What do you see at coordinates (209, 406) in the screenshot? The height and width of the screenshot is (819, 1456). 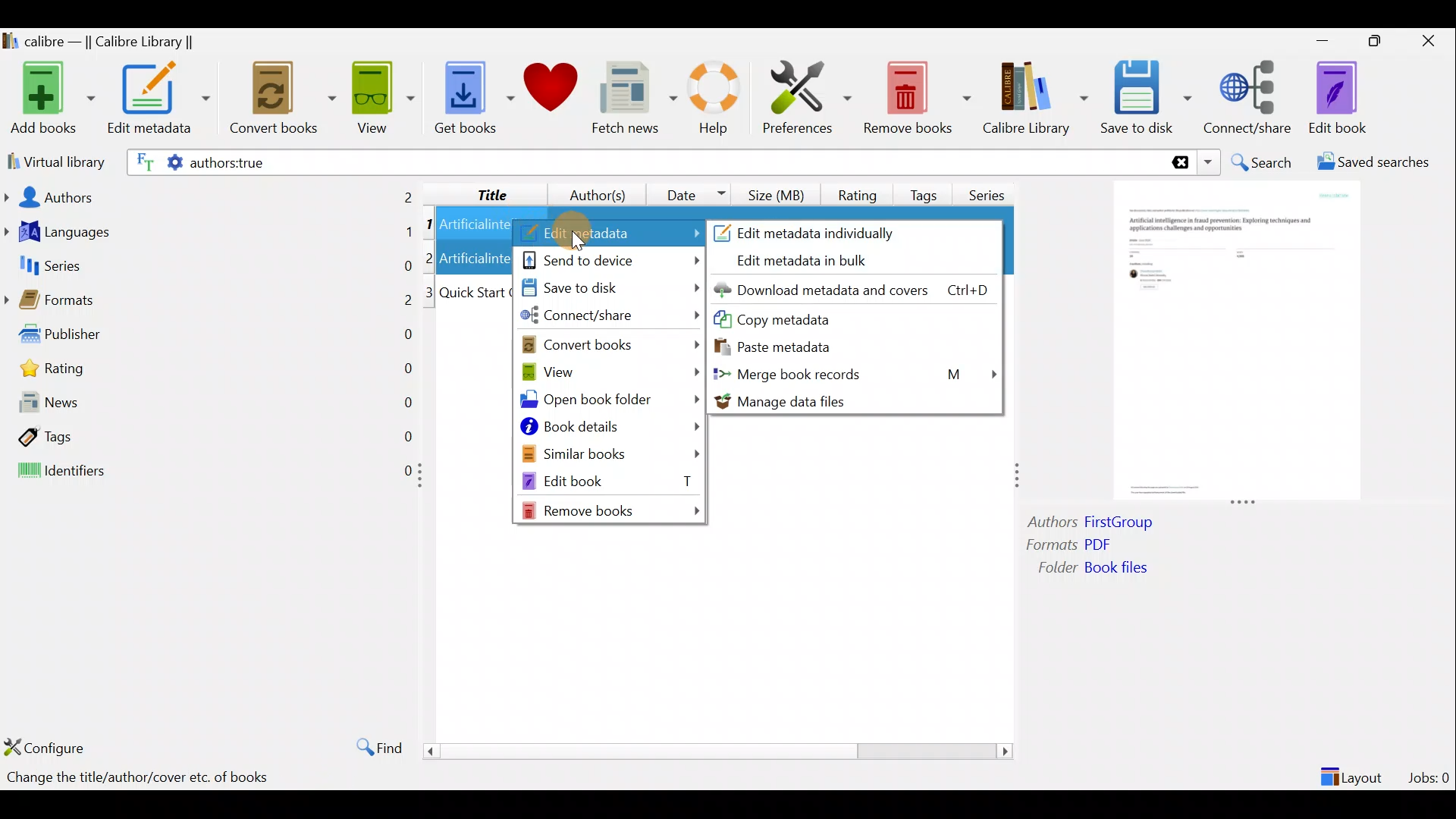 I see `News` at bounding box center [209, 406].